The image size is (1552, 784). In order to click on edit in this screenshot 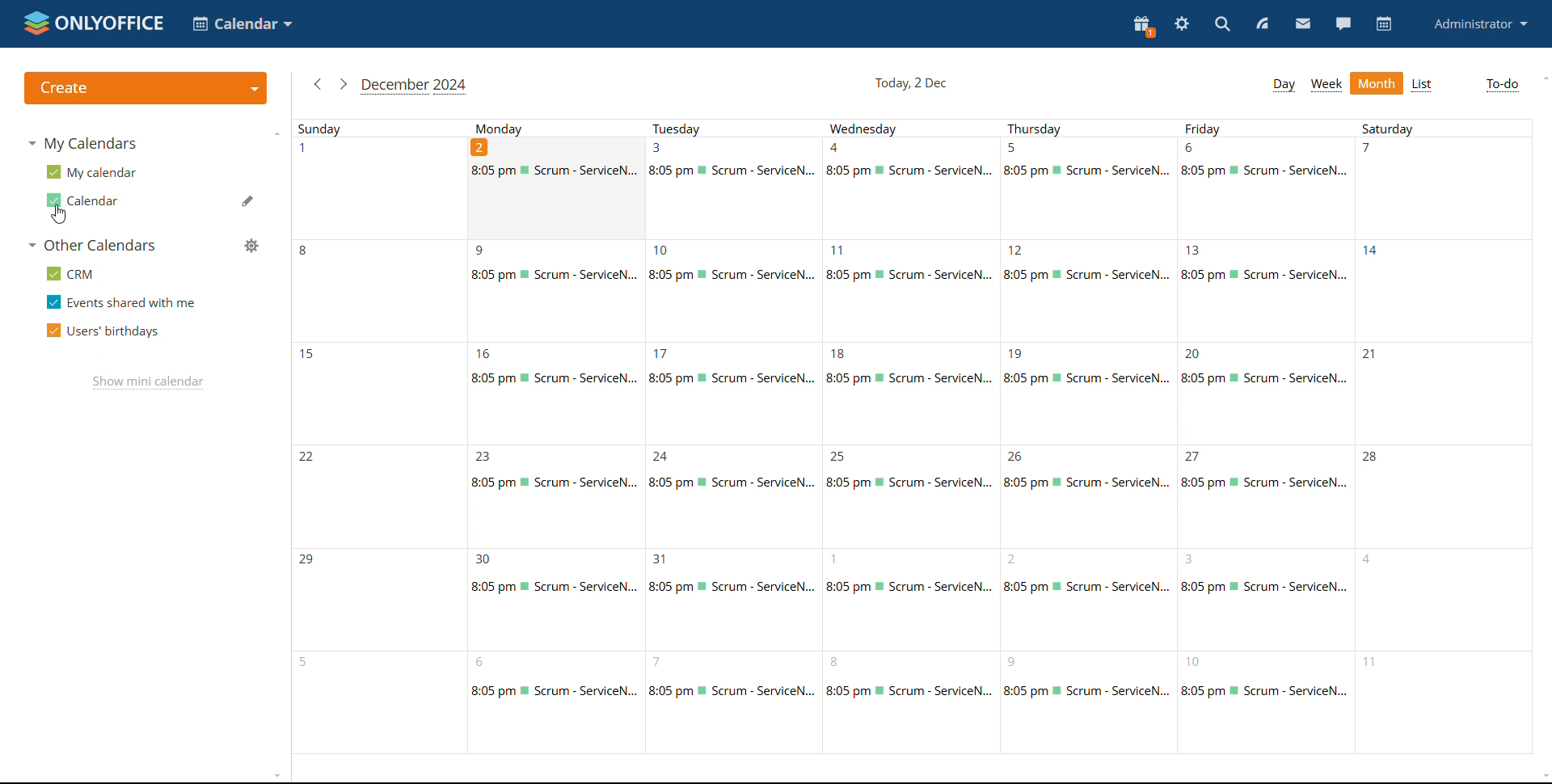, I will do `click(247, 200)`.